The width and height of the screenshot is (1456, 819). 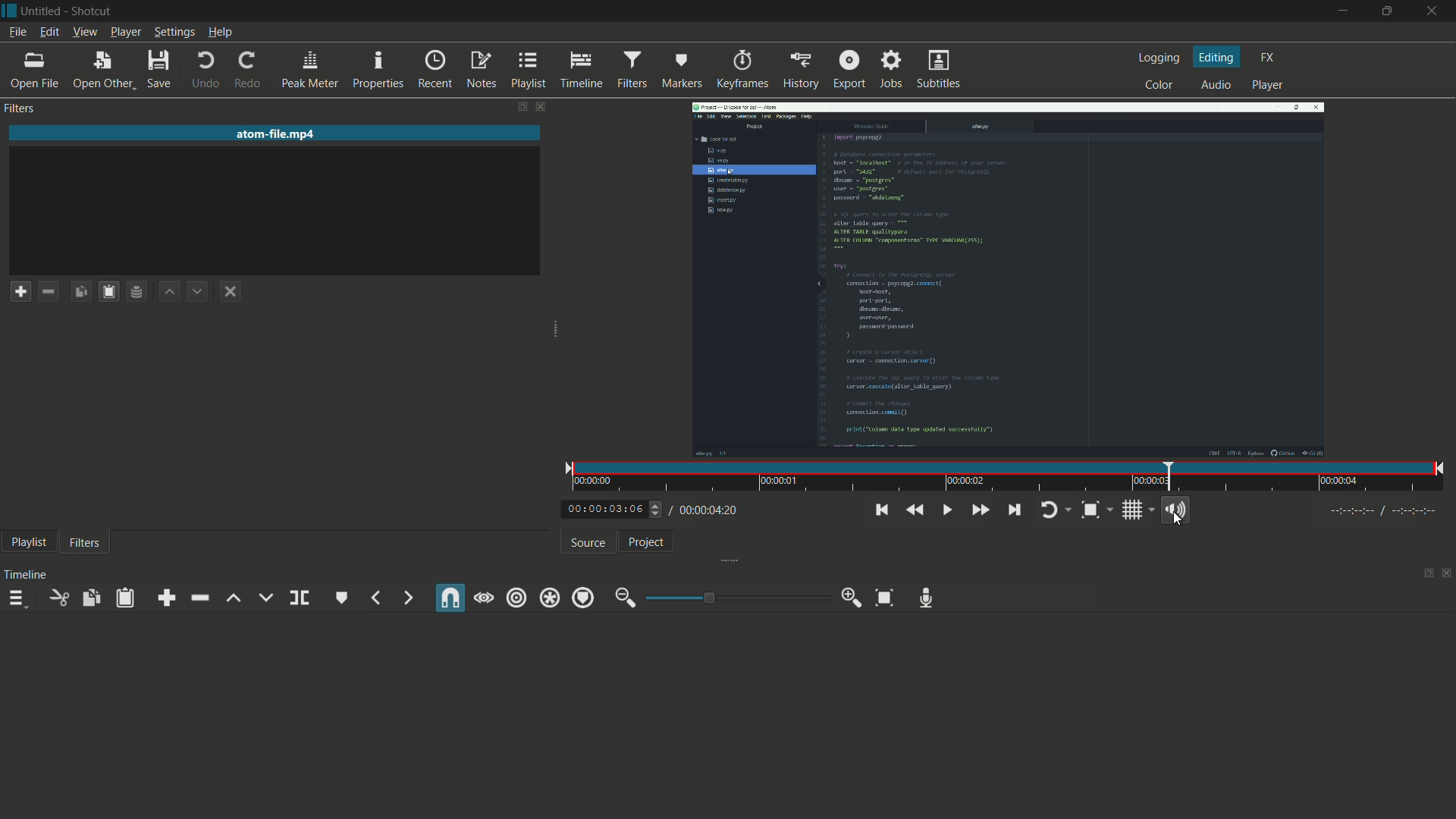 I want to click on show volume control, so click(x=1175, y=509).